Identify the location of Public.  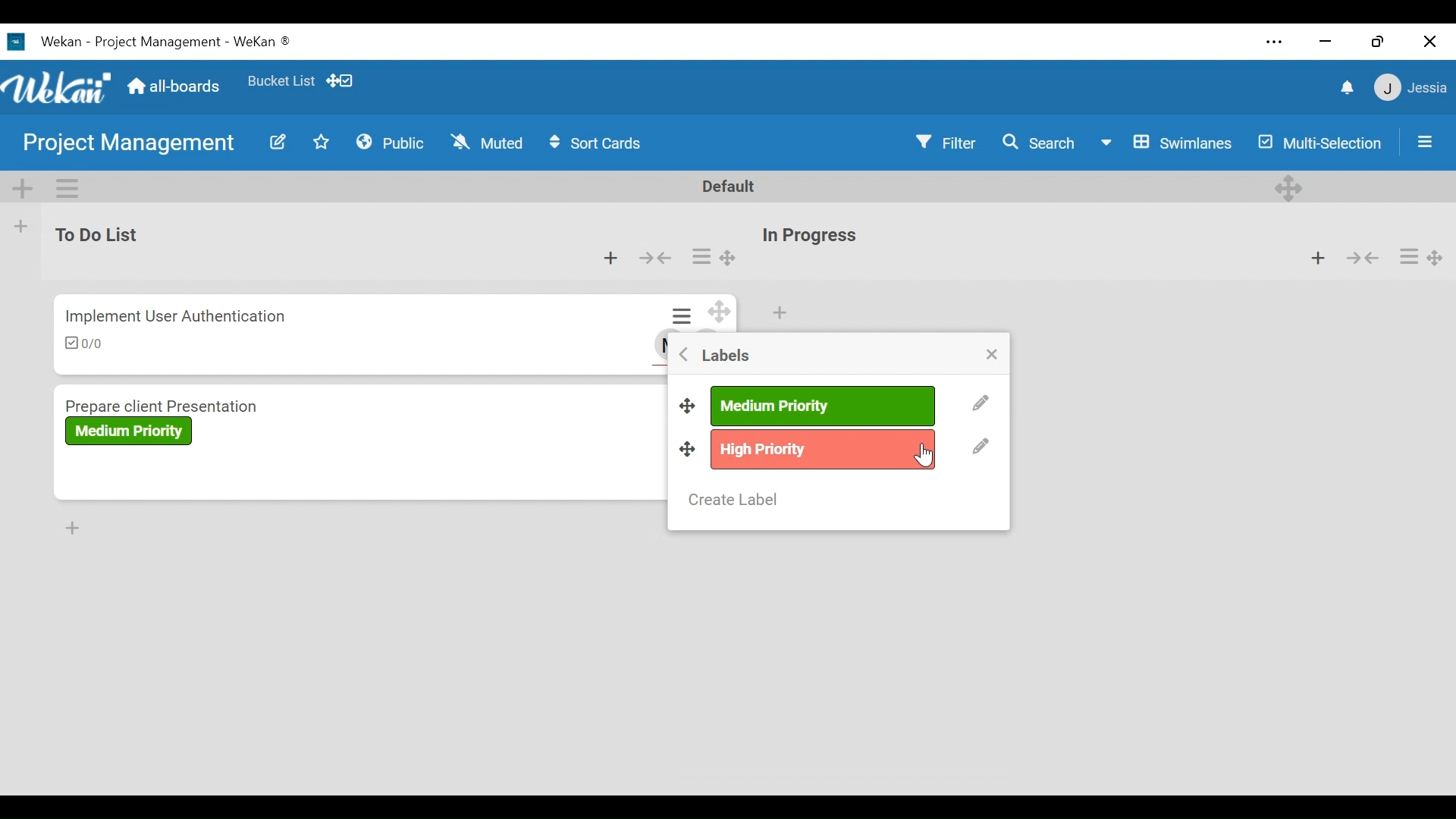
(391, 141).